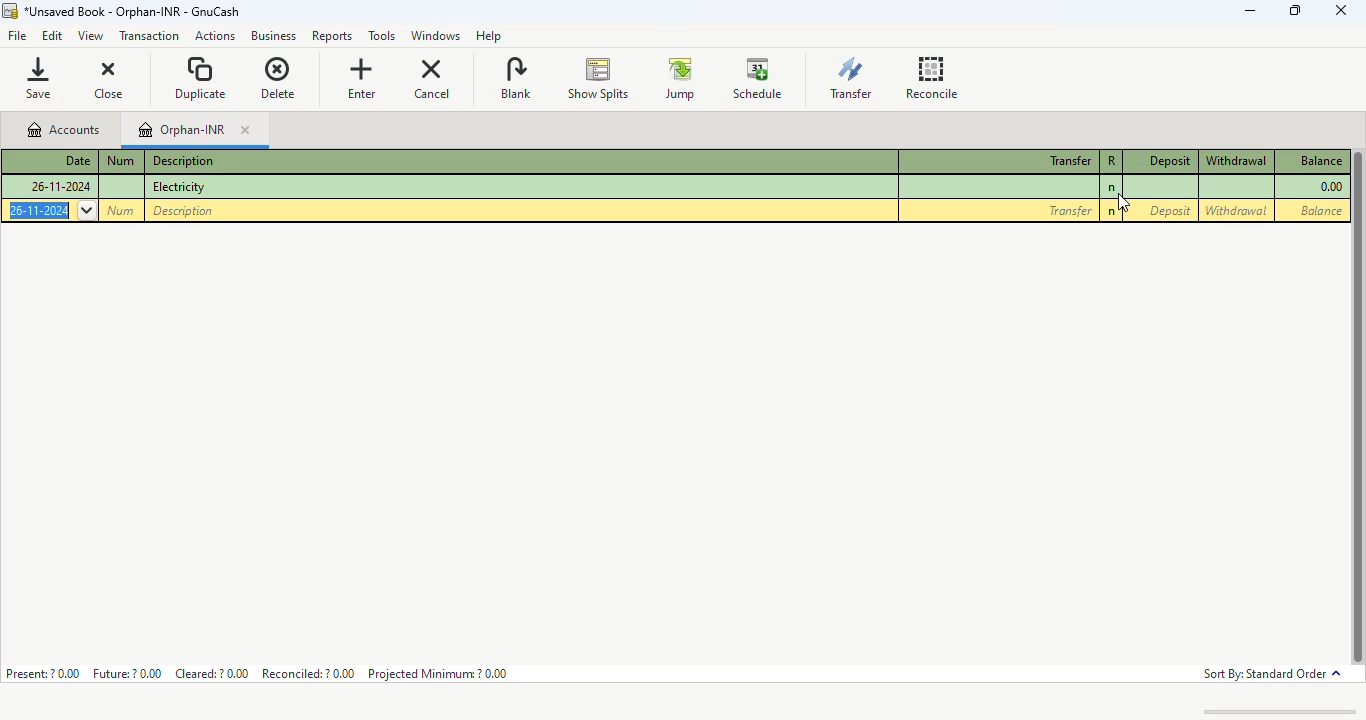  I want to click on transfer, so click(851, 77).